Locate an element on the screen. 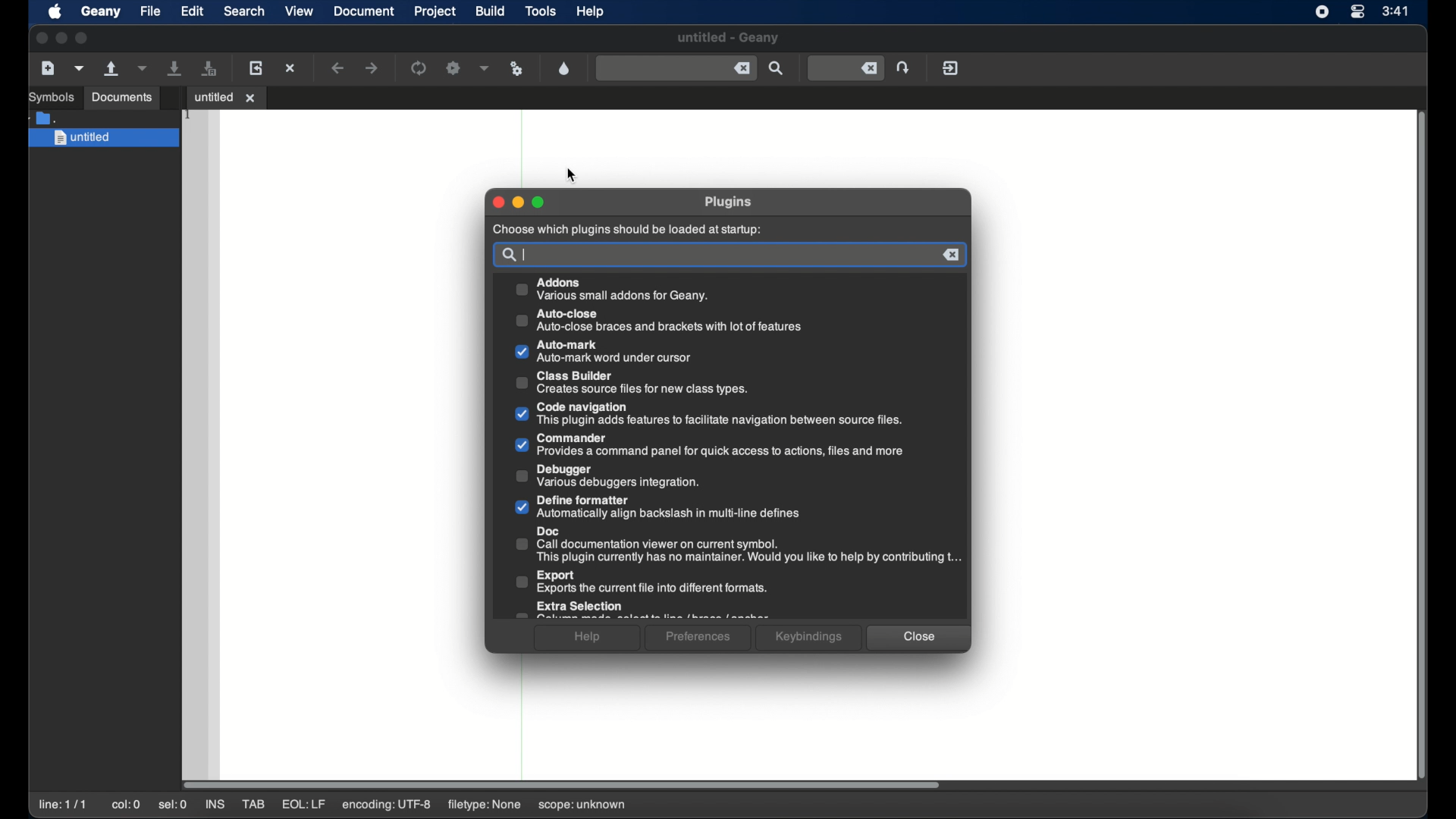 This screenshot has width=1456, height=819. maximize is located at coordinates (82, 38).